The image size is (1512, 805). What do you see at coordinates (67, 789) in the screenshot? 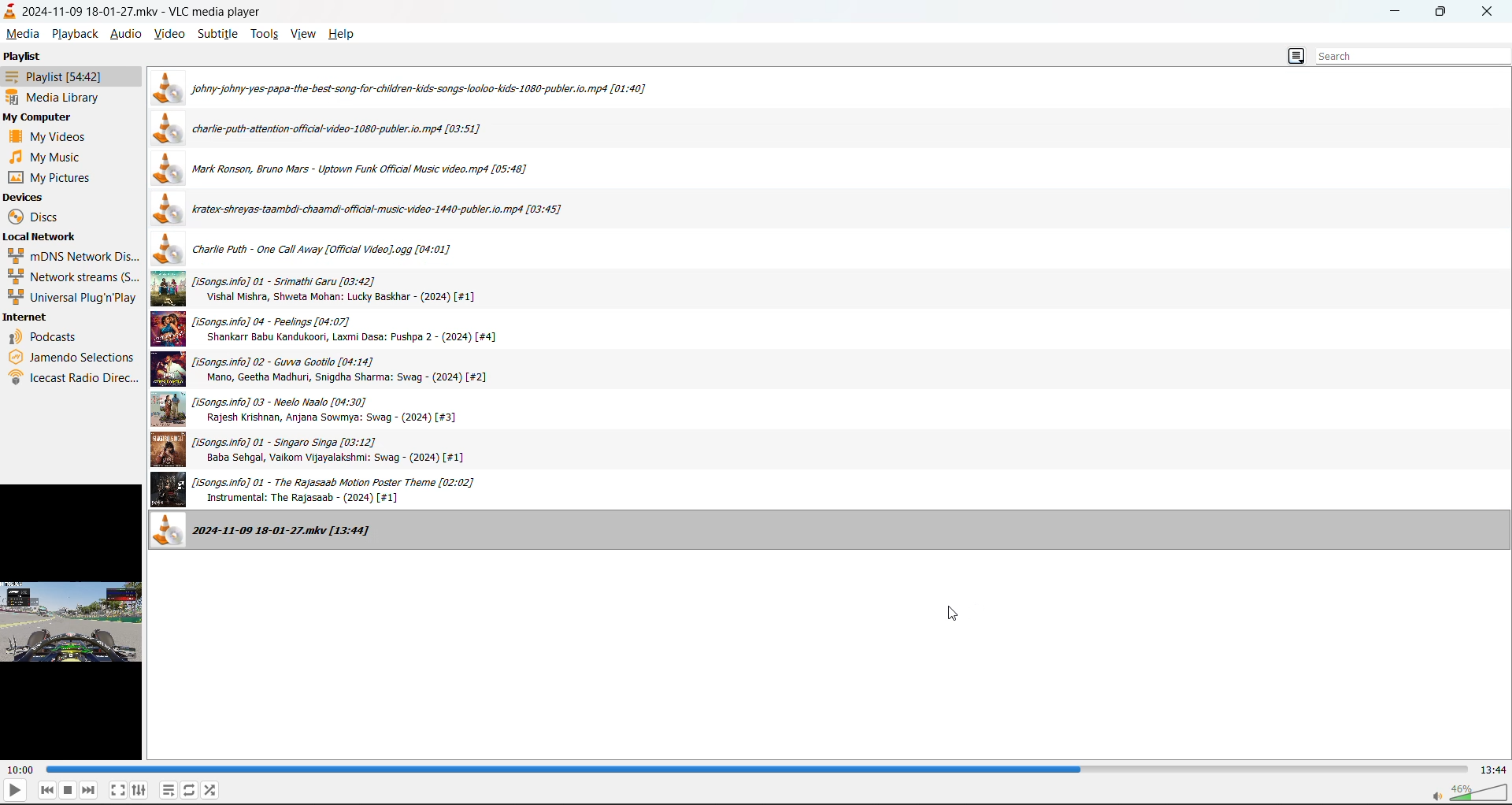
I see `stop` at bounding box center [67, 789].